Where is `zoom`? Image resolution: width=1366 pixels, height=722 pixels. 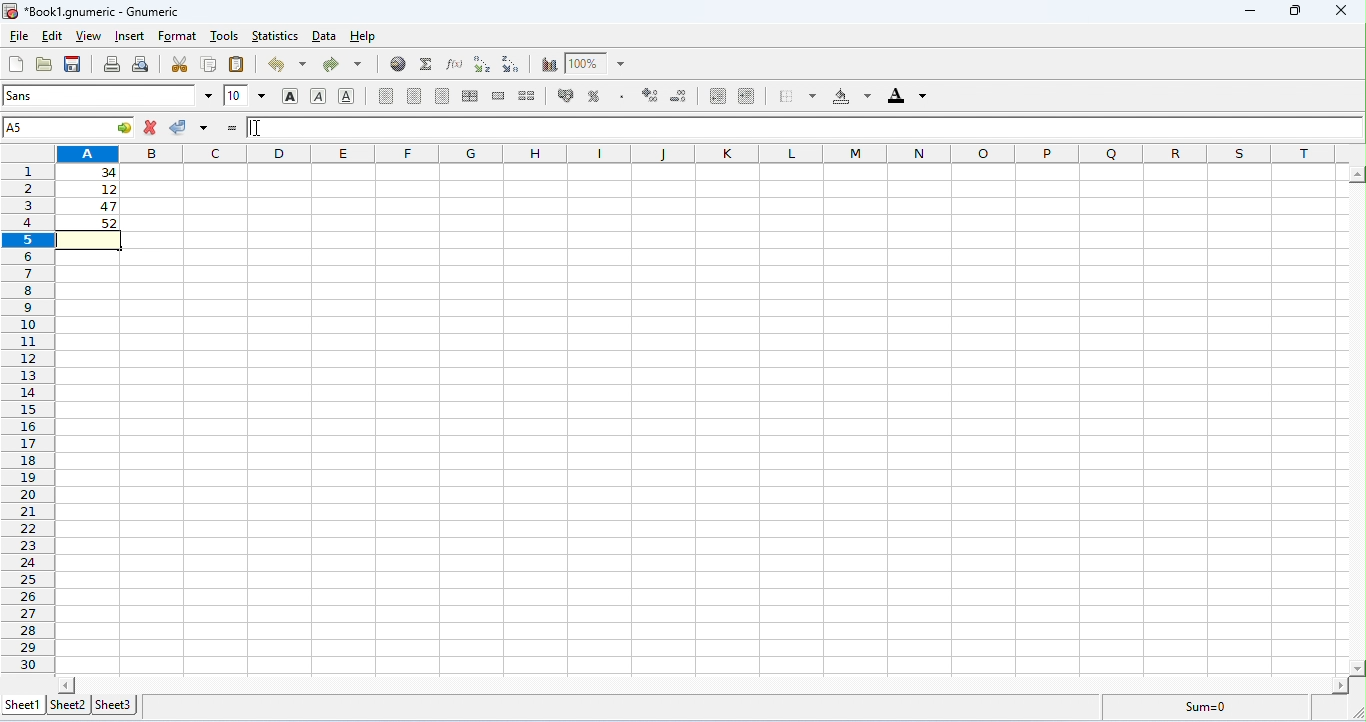
zoom is located at coordinates (595, 62).